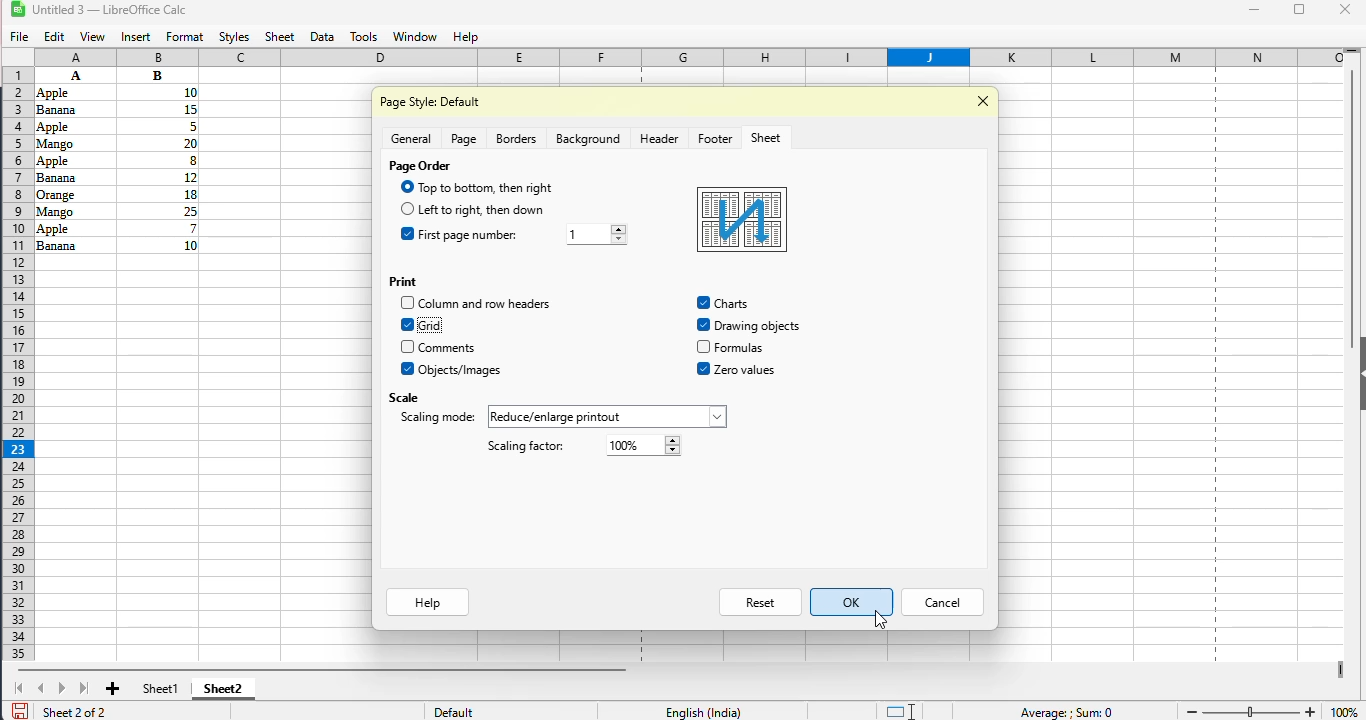 This screenshot has height=720, width=1366. I want to click on drawing objects, so click(703, 325).